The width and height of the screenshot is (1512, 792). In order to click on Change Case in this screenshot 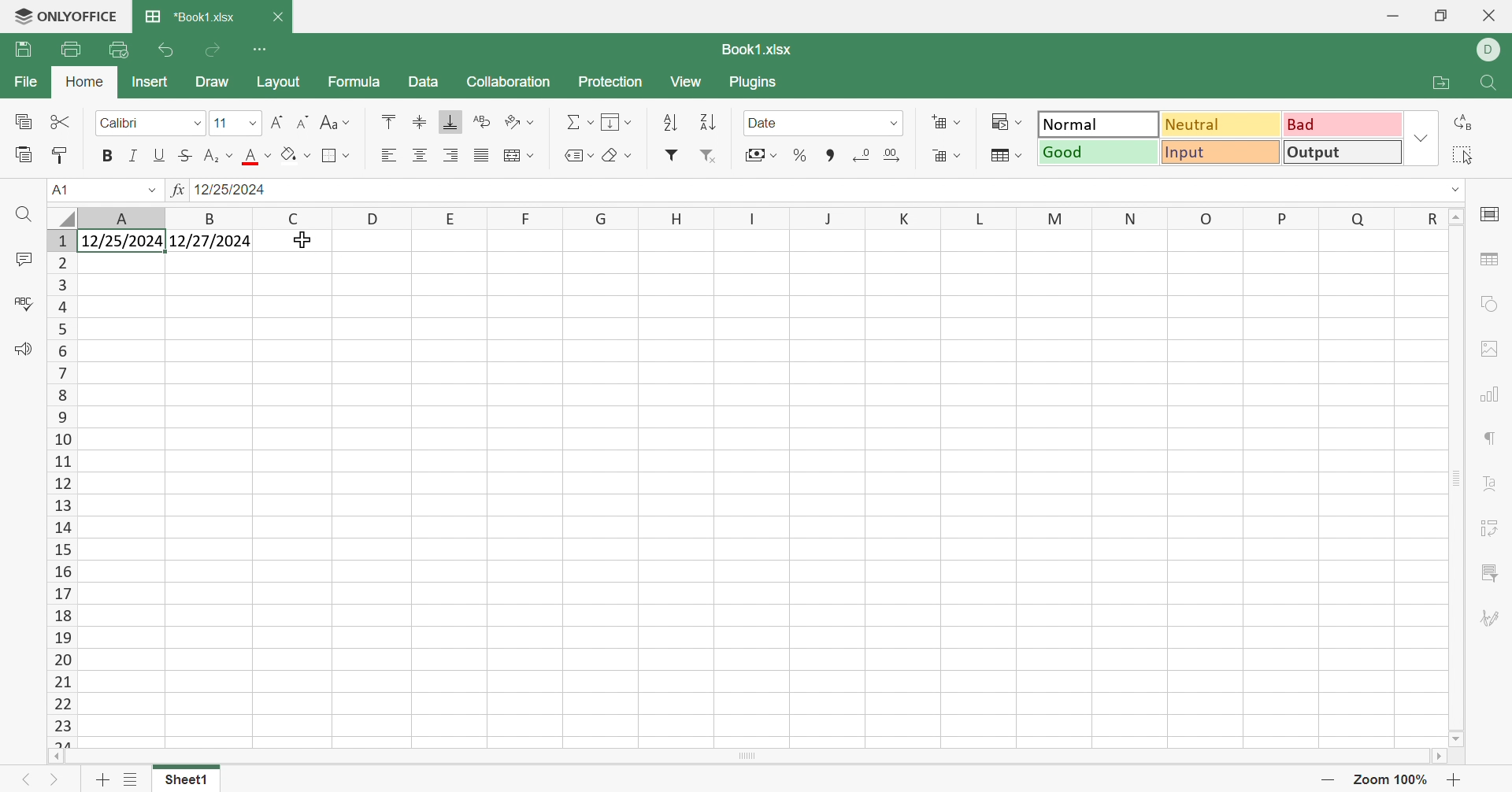, I will do `click(336, 124)`.